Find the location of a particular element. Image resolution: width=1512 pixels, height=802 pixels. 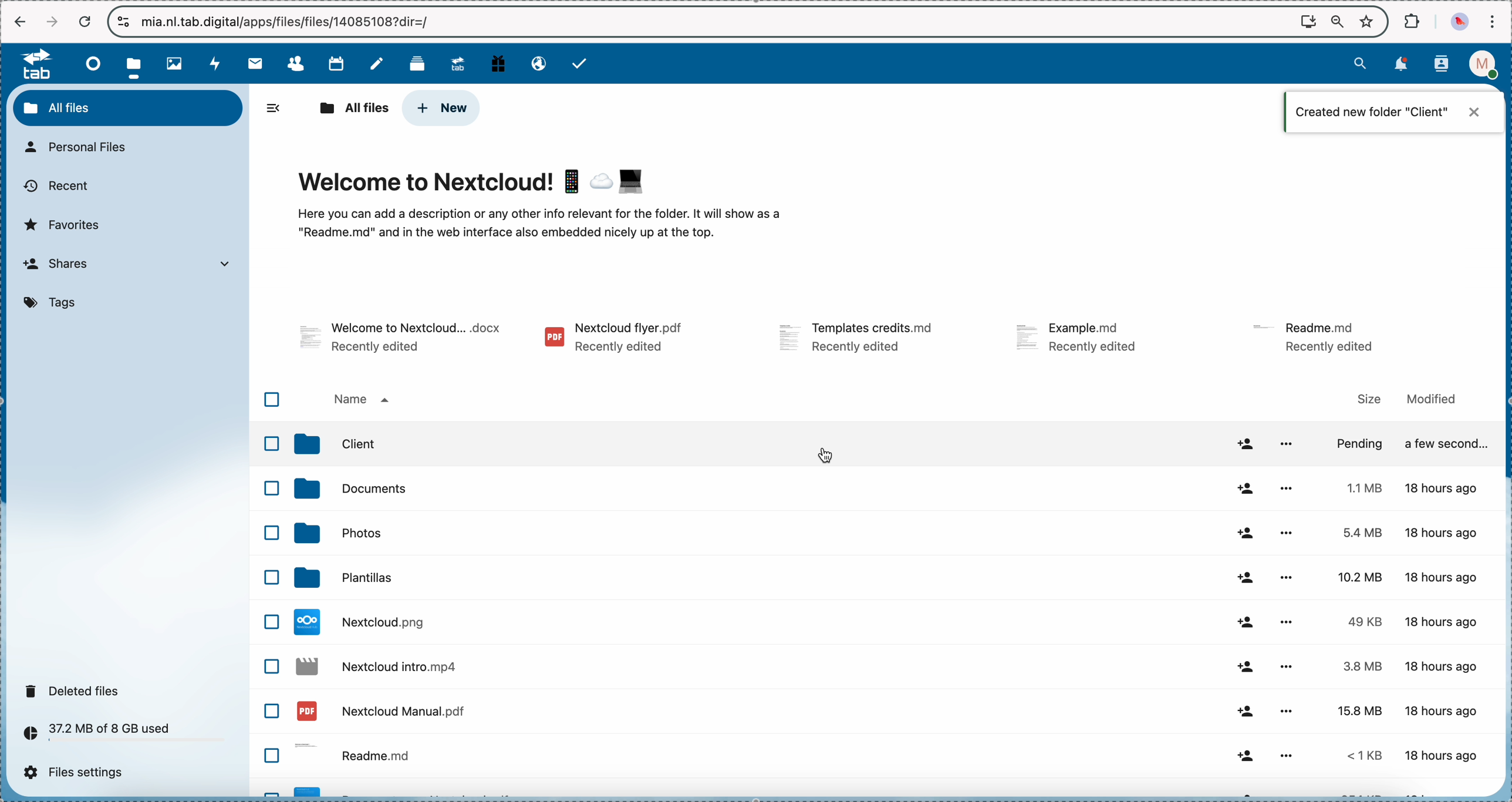

activity is located at coordinates (217, 63).